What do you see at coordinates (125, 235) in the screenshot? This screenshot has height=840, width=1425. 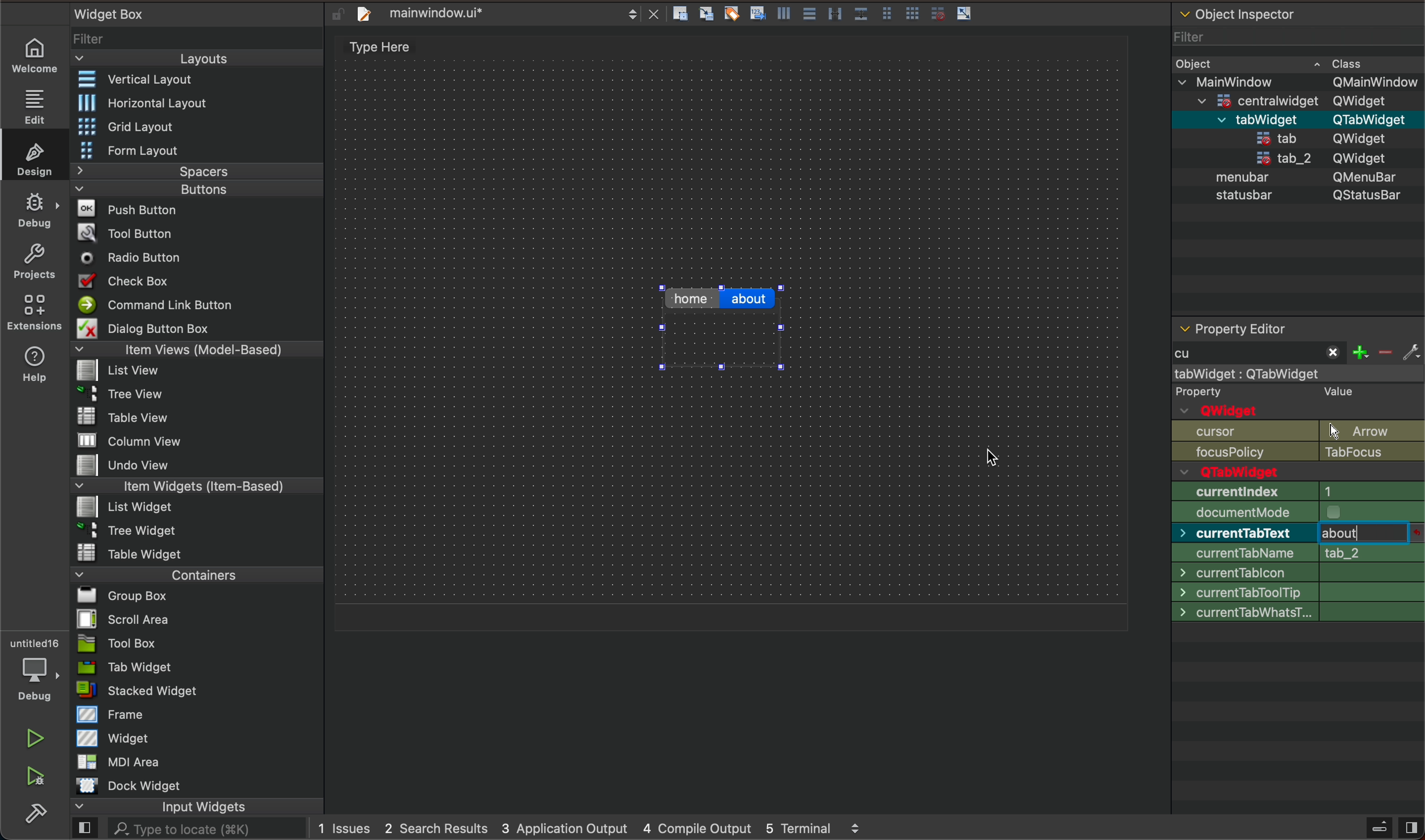 I see `Tool Button` at bounding box center [125, 235].